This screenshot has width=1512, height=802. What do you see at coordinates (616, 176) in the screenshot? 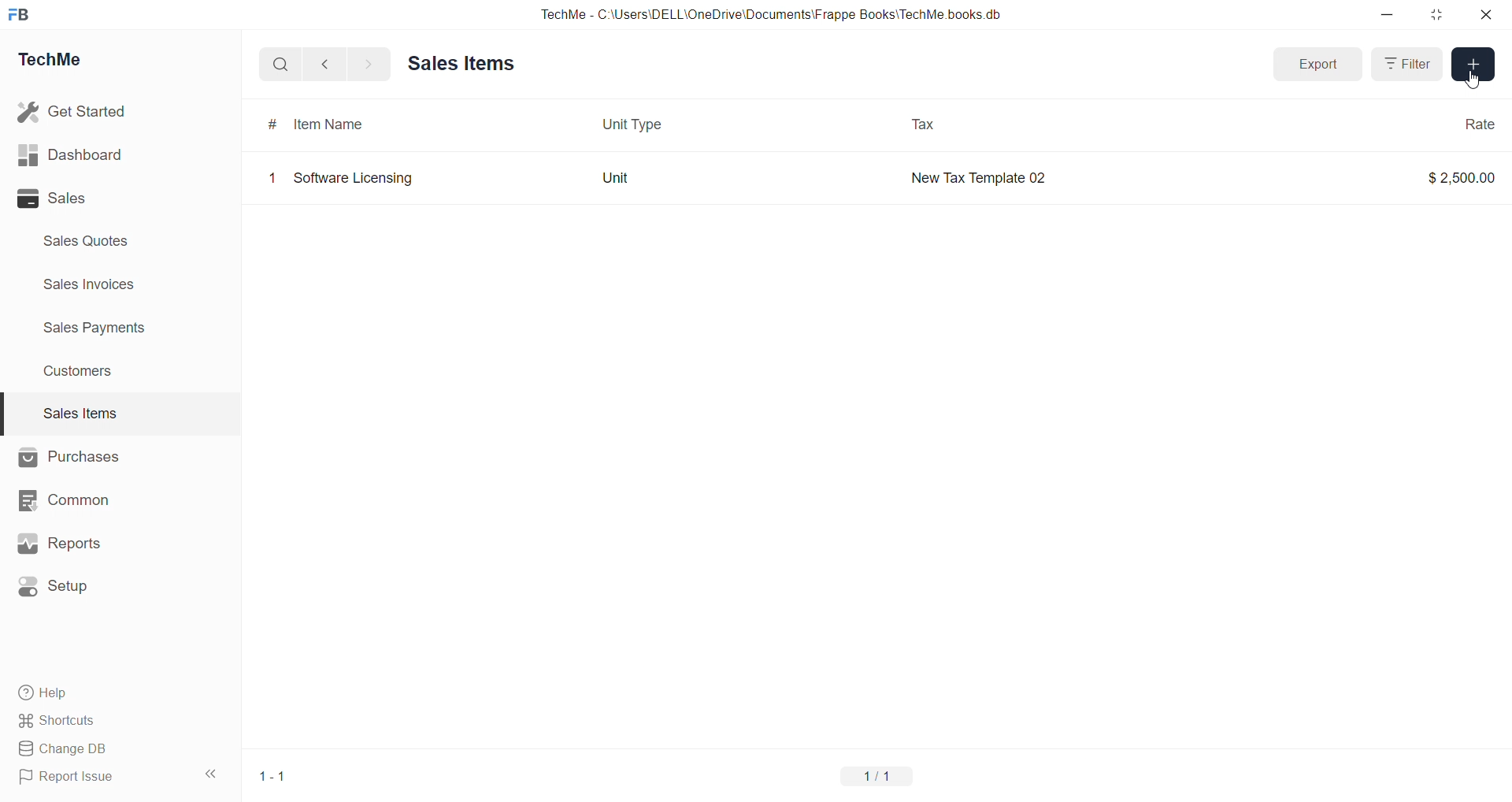
I see `Unit` at bounding box center [616, 176].